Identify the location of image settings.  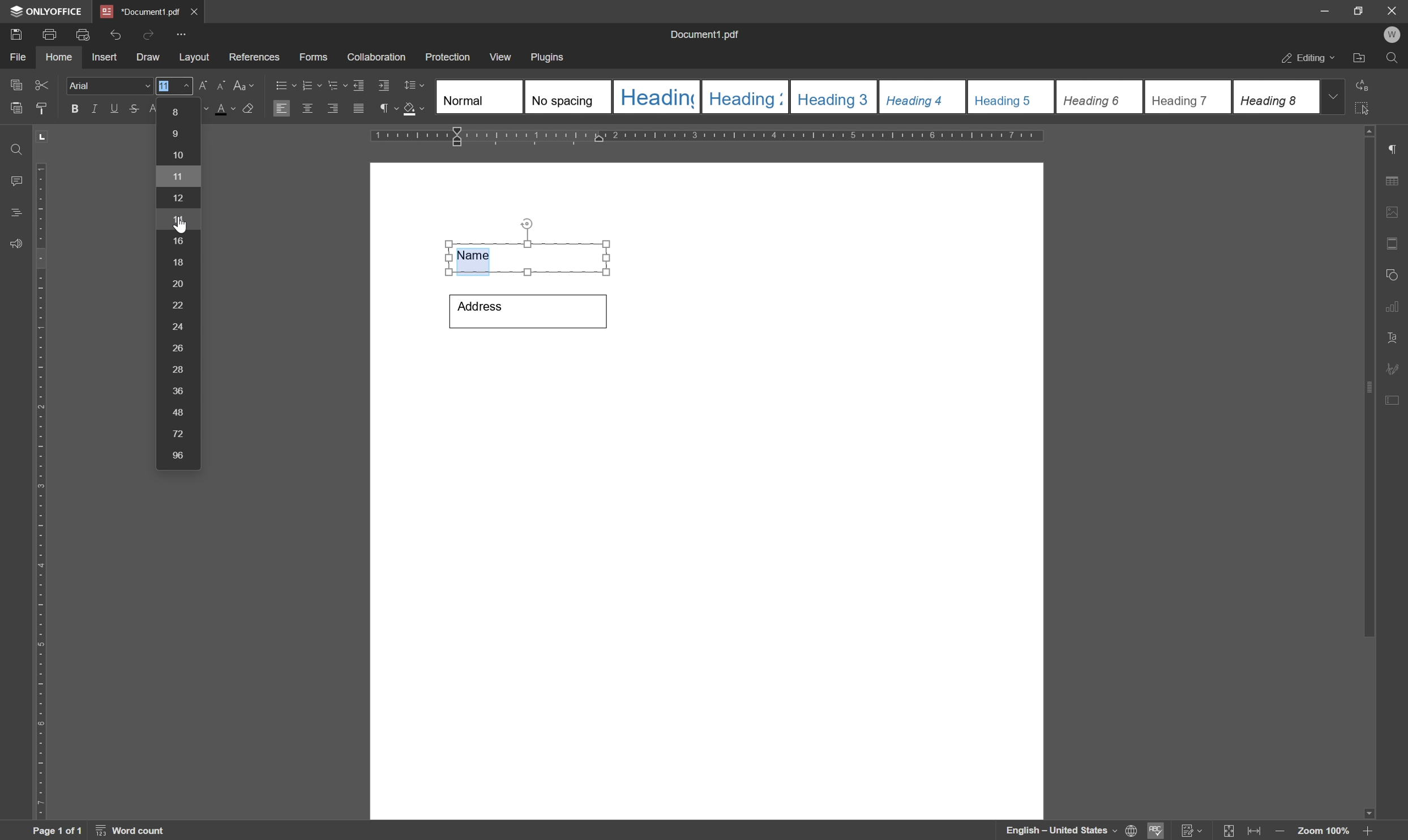
(1397, 215).